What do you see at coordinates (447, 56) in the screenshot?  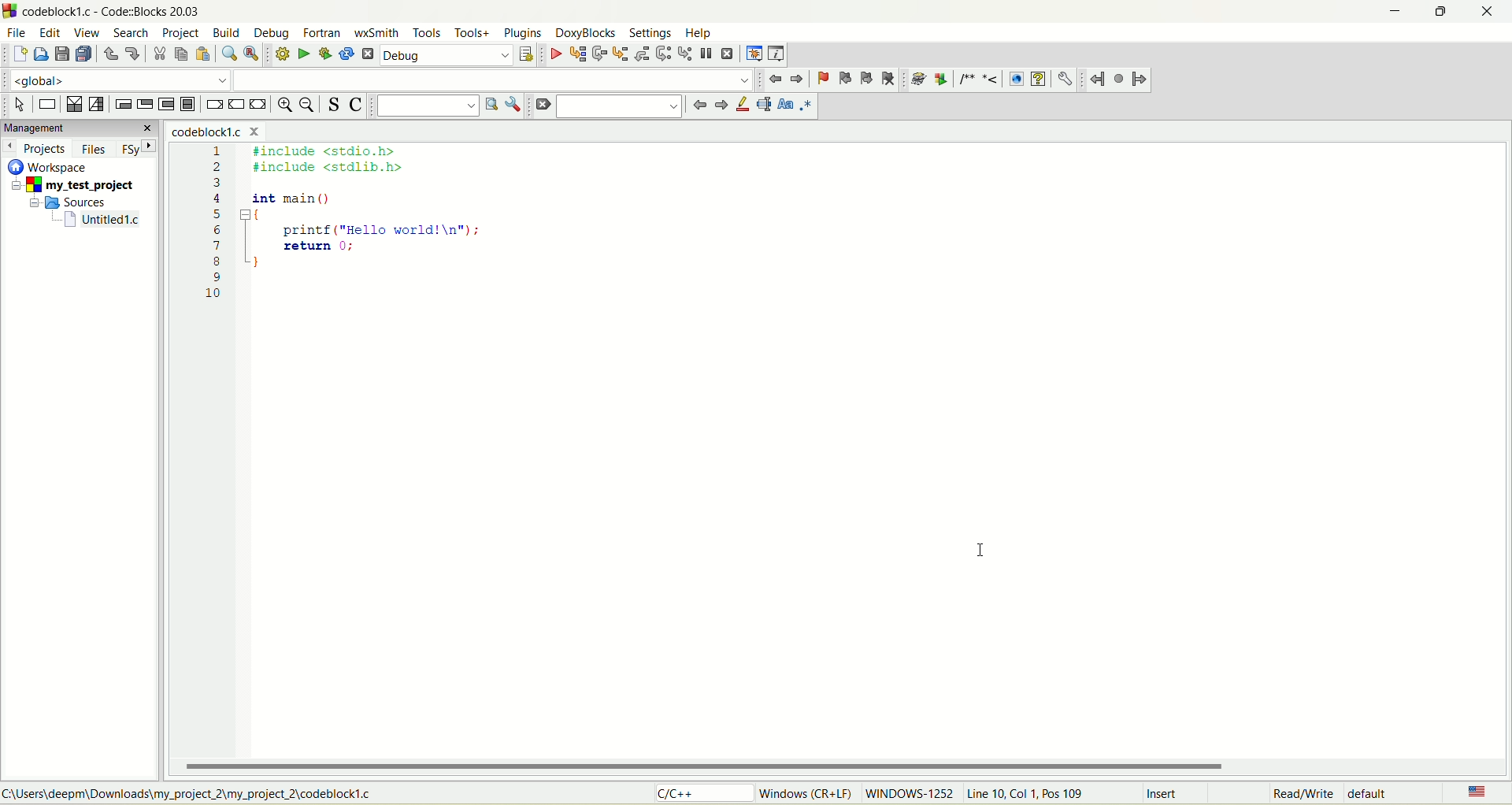 I see `debug` at bounding box center [447, 56].